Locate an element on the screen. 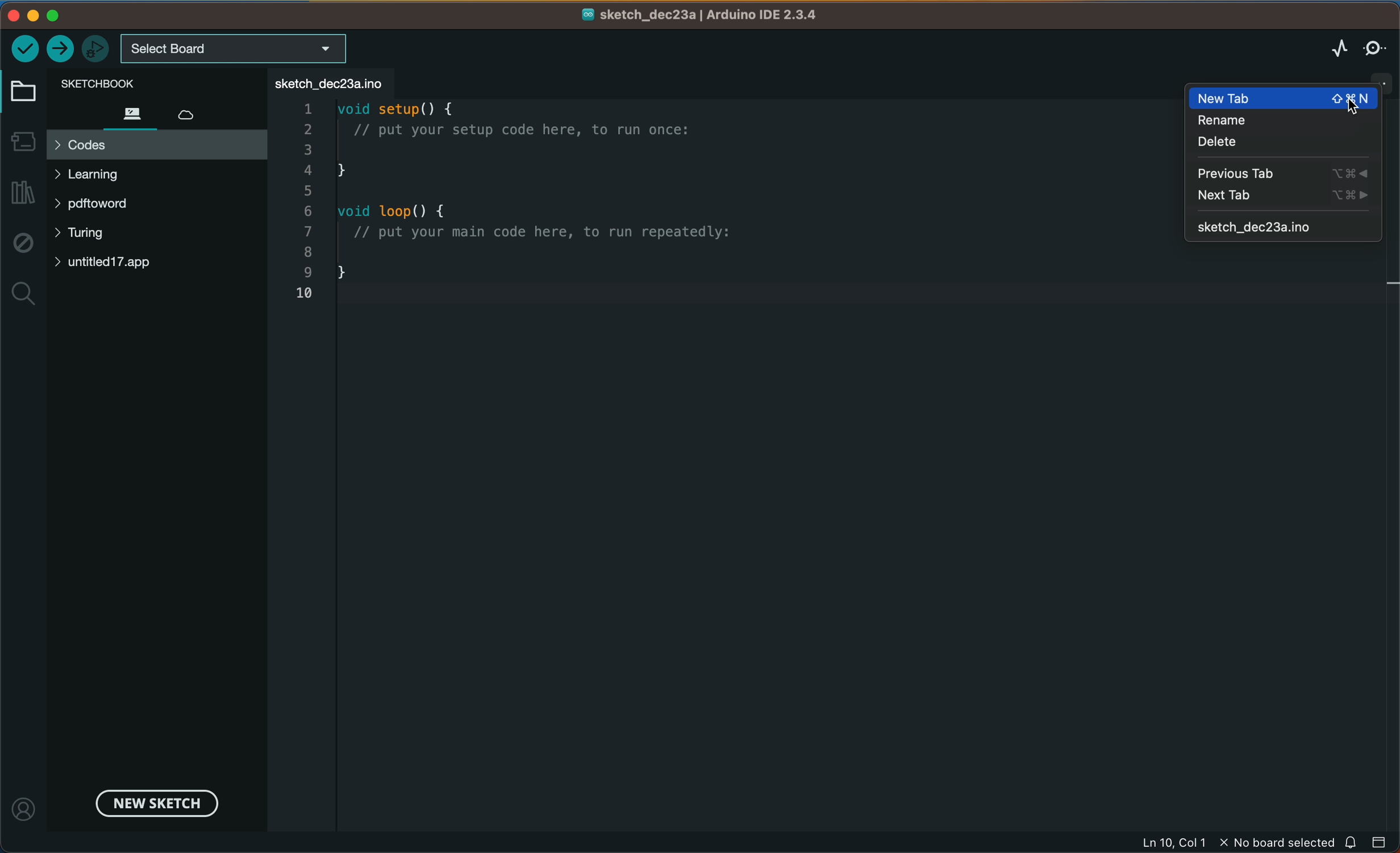 The height and width of the screenshot is (853, 1400). window control is located at coordinates (49, 15).